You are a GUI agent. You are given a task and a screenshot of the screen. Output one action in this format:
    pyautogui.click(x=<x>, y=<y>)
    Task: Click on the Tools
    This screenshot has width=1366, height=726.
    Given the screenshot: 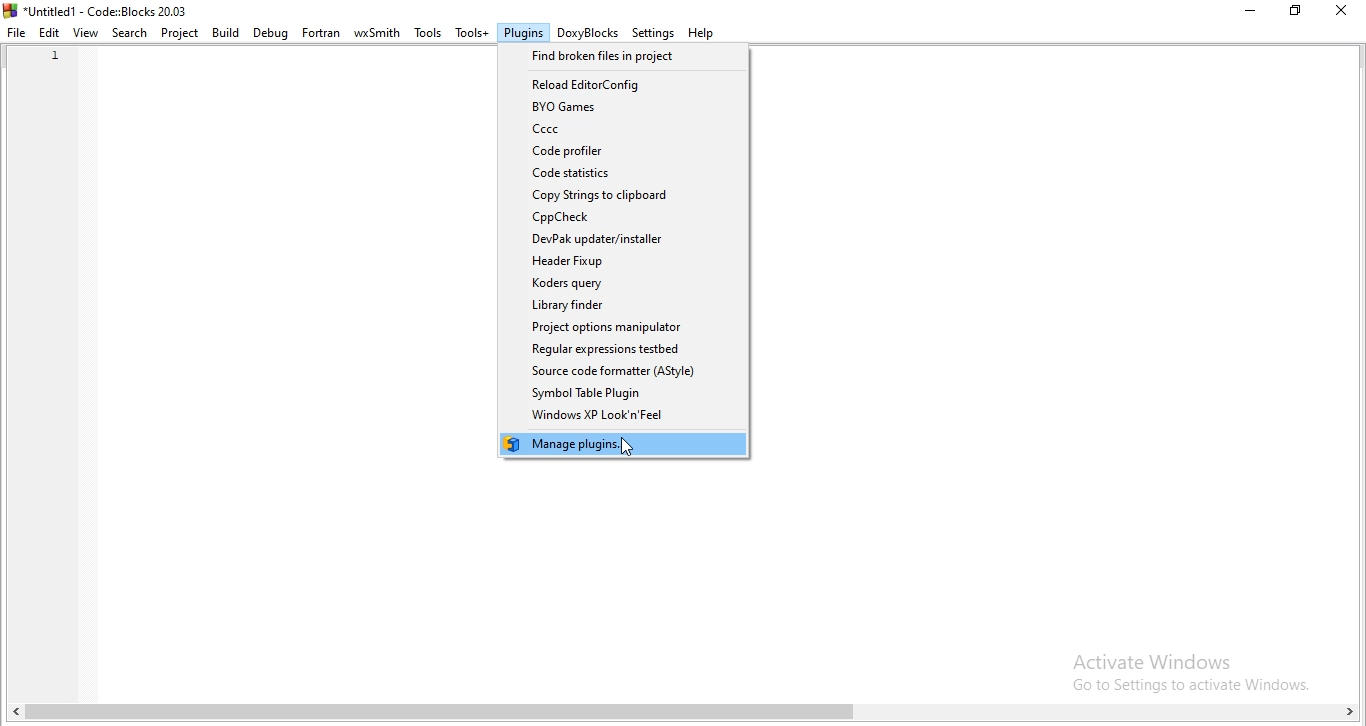 What is the action you would take?
    pyautogui.click(x=427, y=32)
    